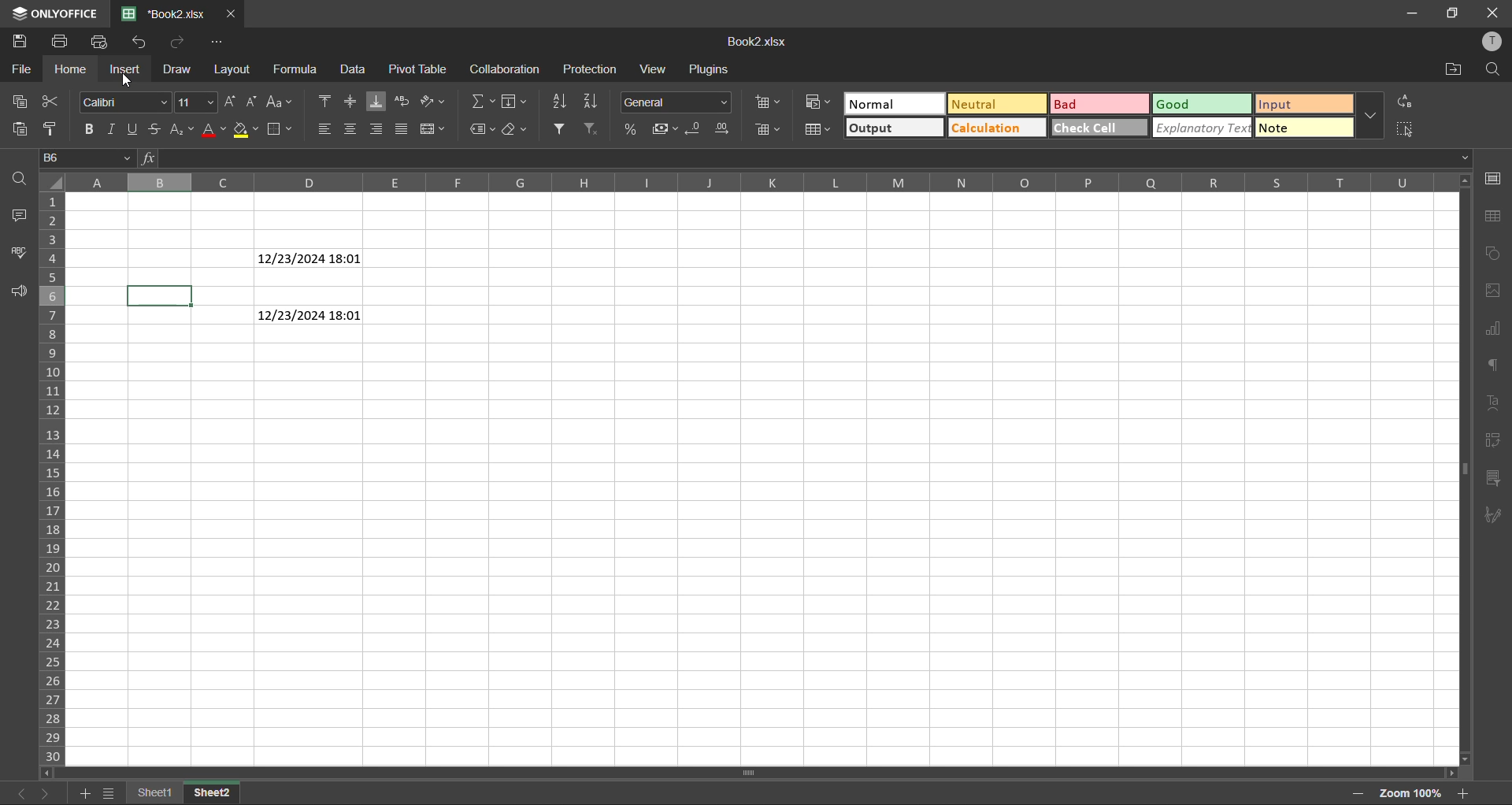 Image resolution: width=1512 pixels, height=805 pixels. I want to click on output, so click(895, 126).